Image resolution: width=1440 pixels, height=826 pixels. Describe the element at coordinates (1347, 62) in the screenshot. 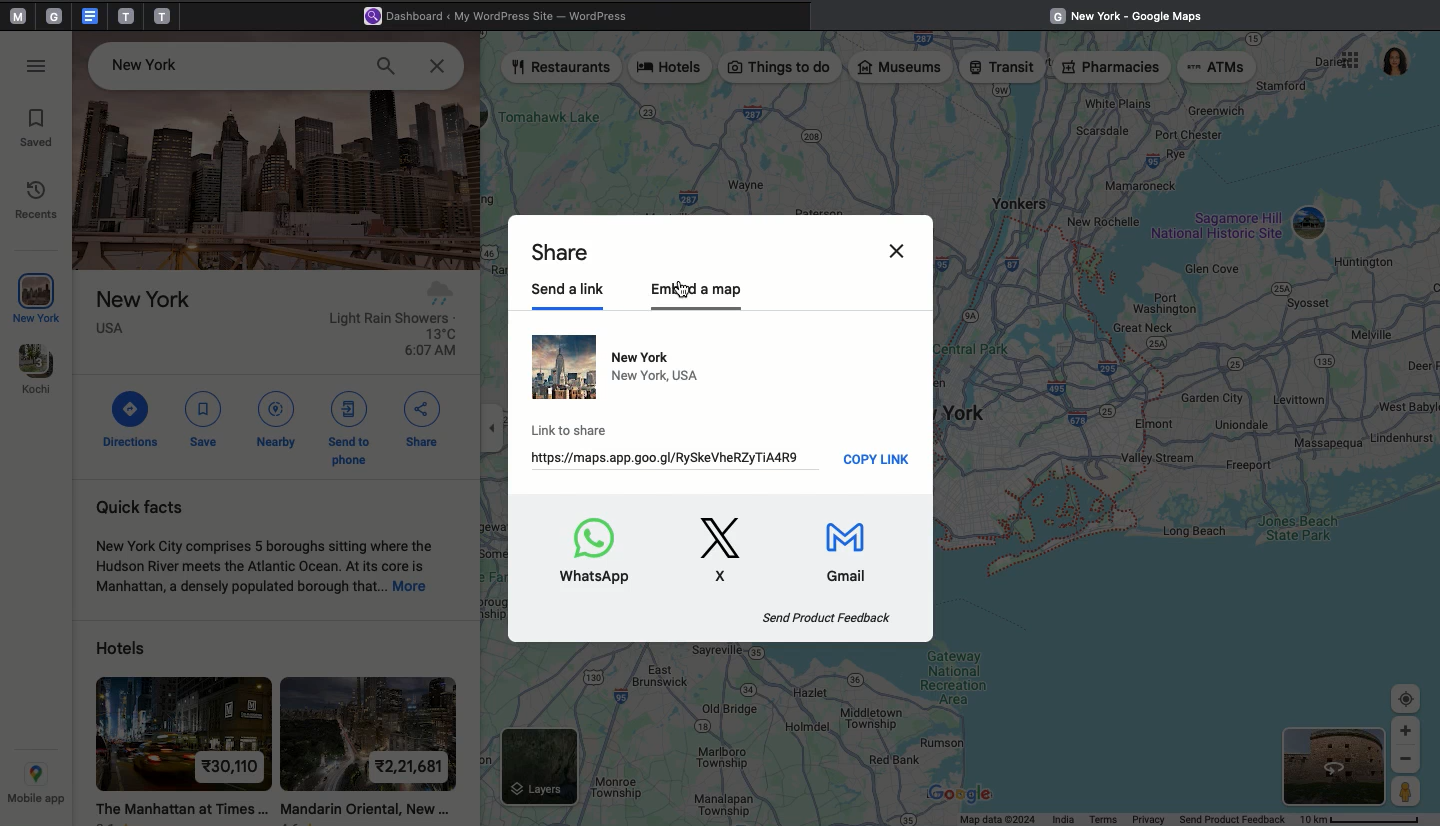

I see `Options` at that location.